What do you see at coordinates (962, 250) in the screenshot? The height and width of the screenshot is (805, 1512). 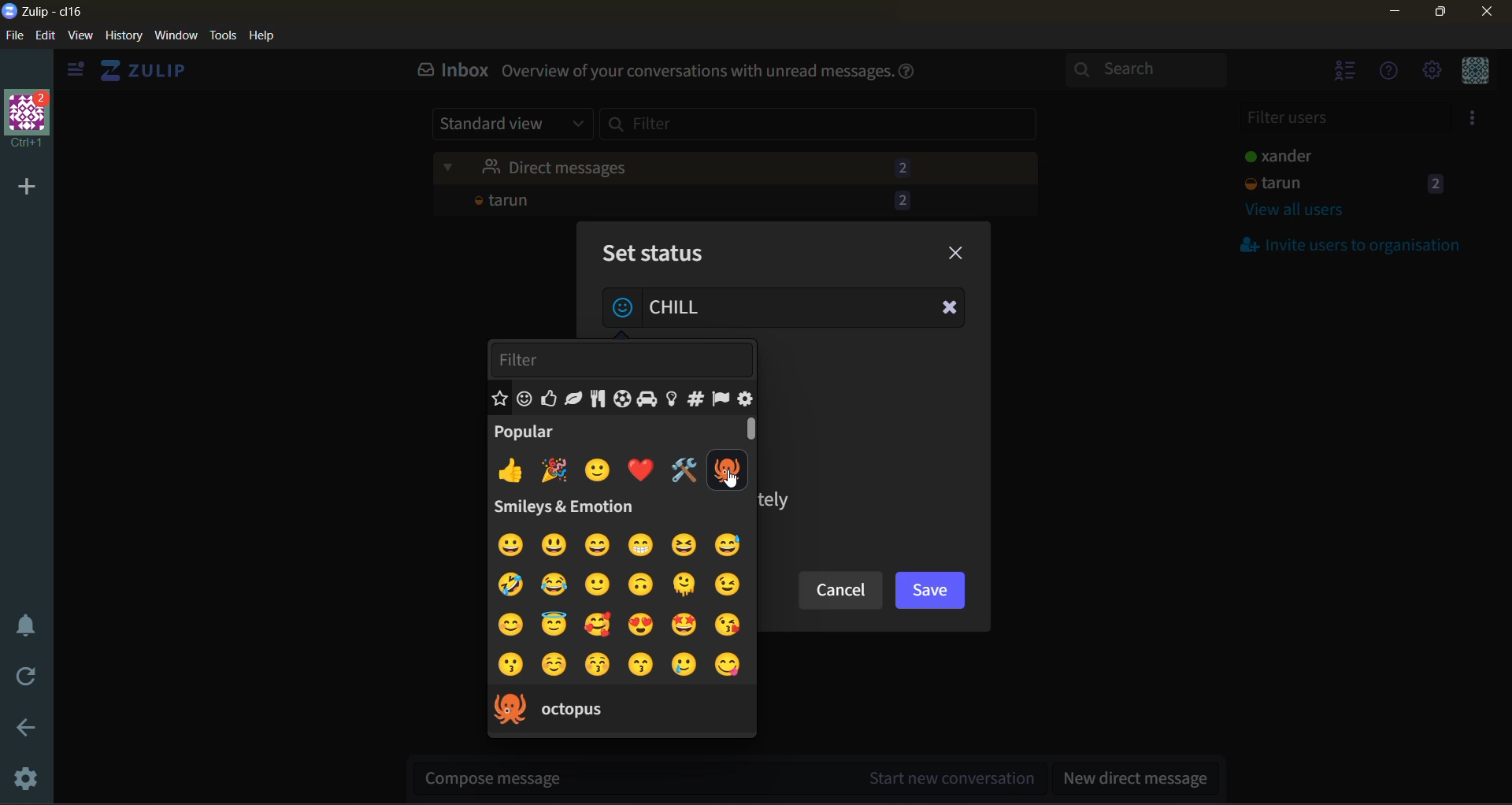 I see `close` at bounding box center [962, 250].